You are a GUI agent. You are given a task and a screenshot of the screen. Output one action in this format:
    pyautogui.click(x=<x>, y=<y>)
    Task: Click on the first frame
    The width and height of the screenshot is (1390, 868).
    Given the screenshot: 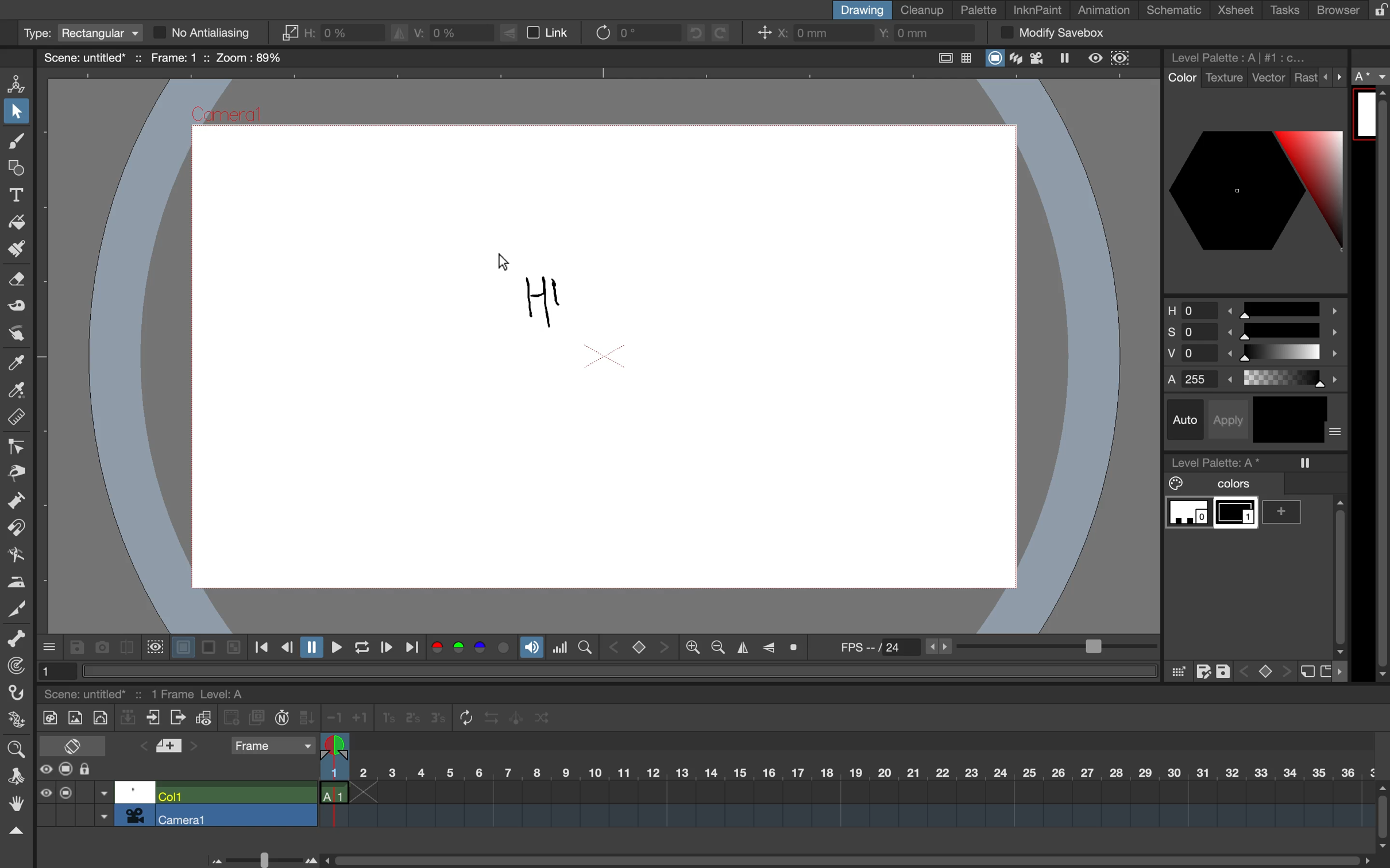 What is the action you would take?
    pyautogui.click(x=262, y=648)
    